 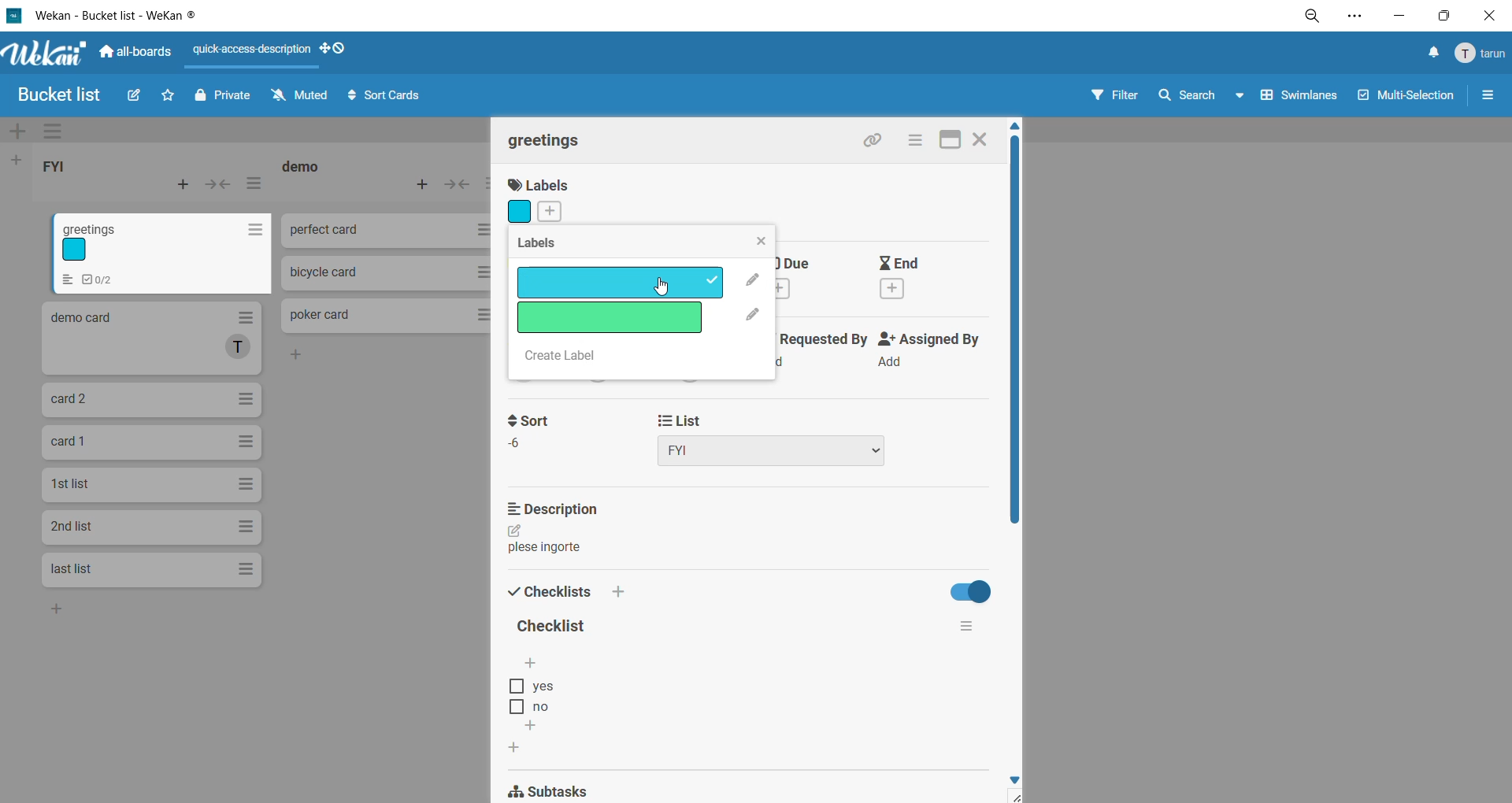 What do you see at coordinates (170, 96) in the screenshot?
I see `star` at bounding box center [170, 96].